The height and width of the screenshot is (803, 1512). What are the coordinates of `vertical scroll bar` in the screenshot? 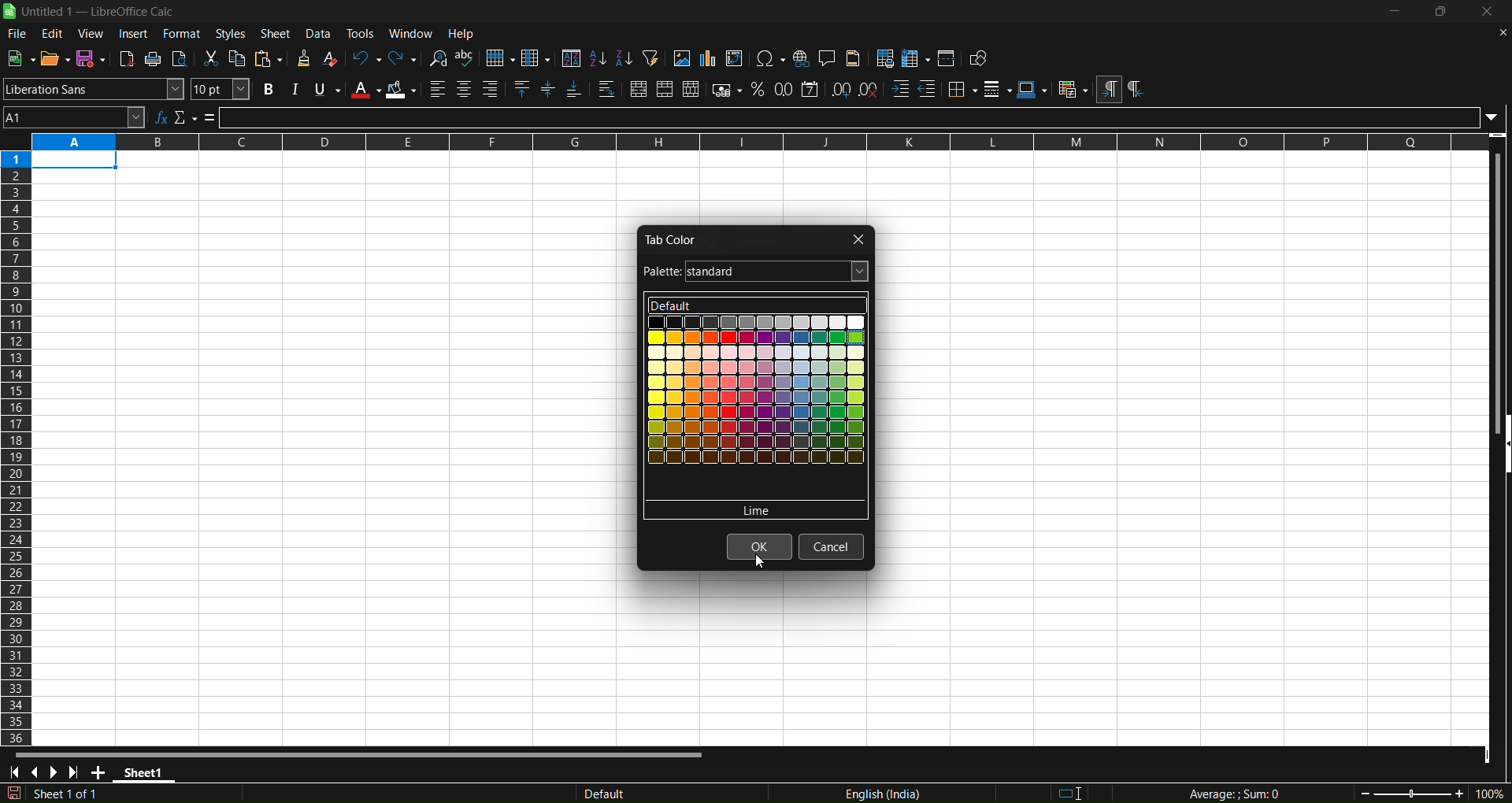 It's located at (1495, 283).